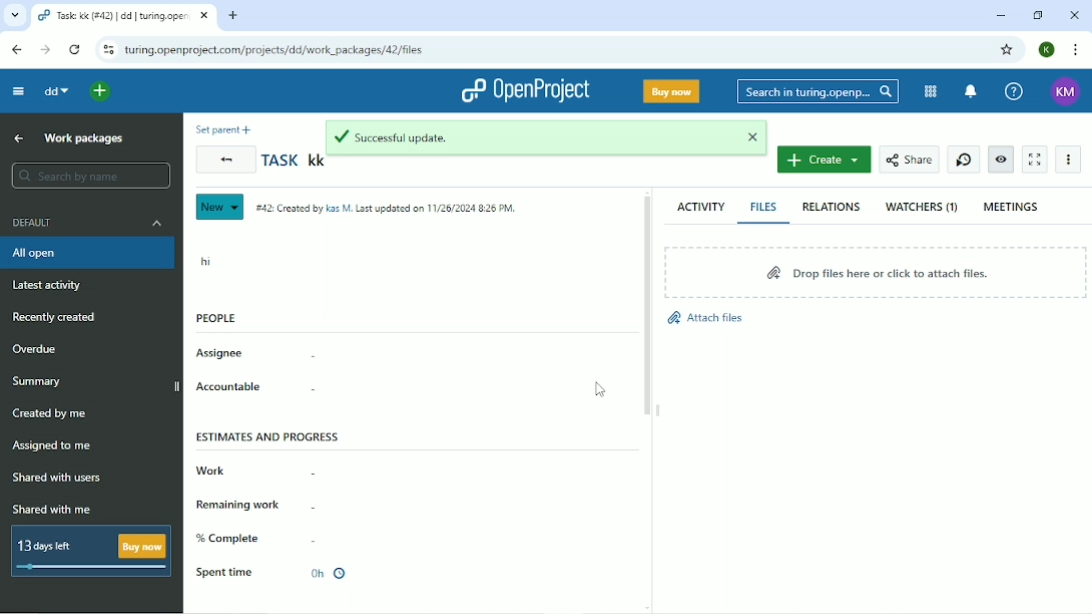  What do you see at coordinates (873, 271) in the screenshot?
I see `Drop files here or click to attach files` at bounding box center [873, 271].